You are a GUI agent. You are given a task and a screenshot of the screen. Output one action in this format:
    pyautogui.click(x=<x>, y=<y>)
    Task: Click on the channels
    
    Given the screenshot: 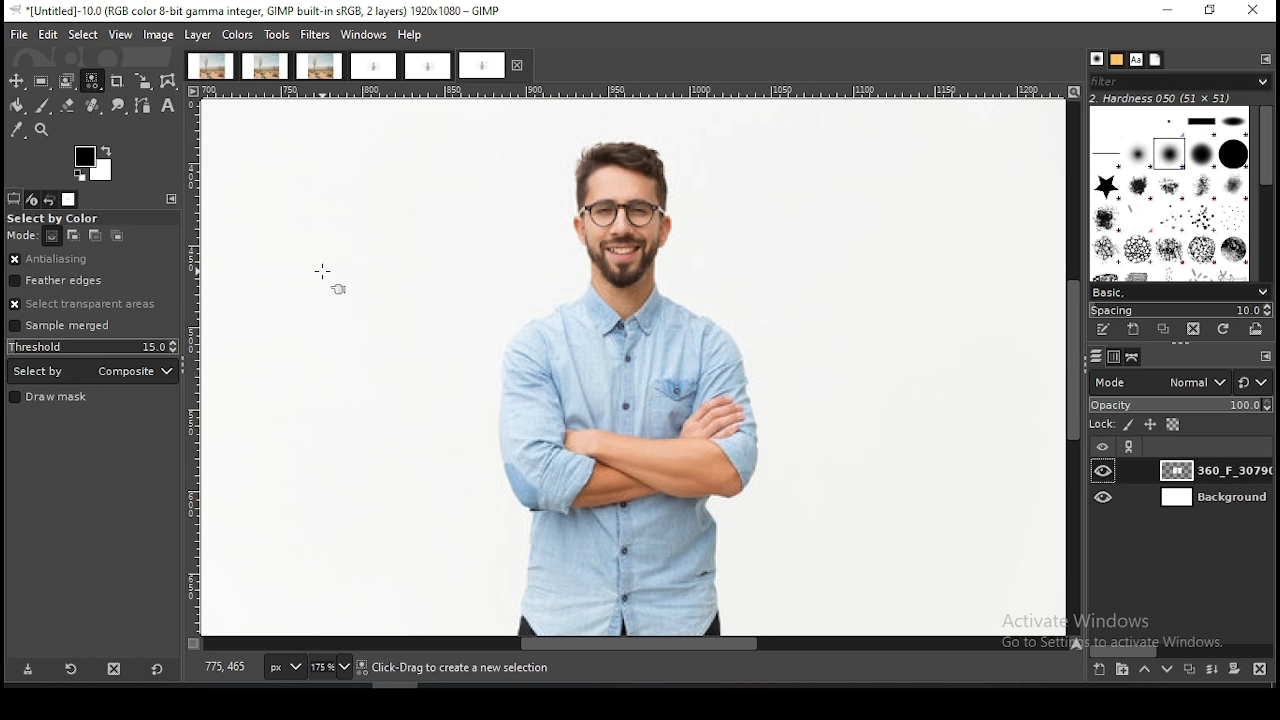 What is the action you would take?
    pyautogui.click(x=1116, y=357)
    